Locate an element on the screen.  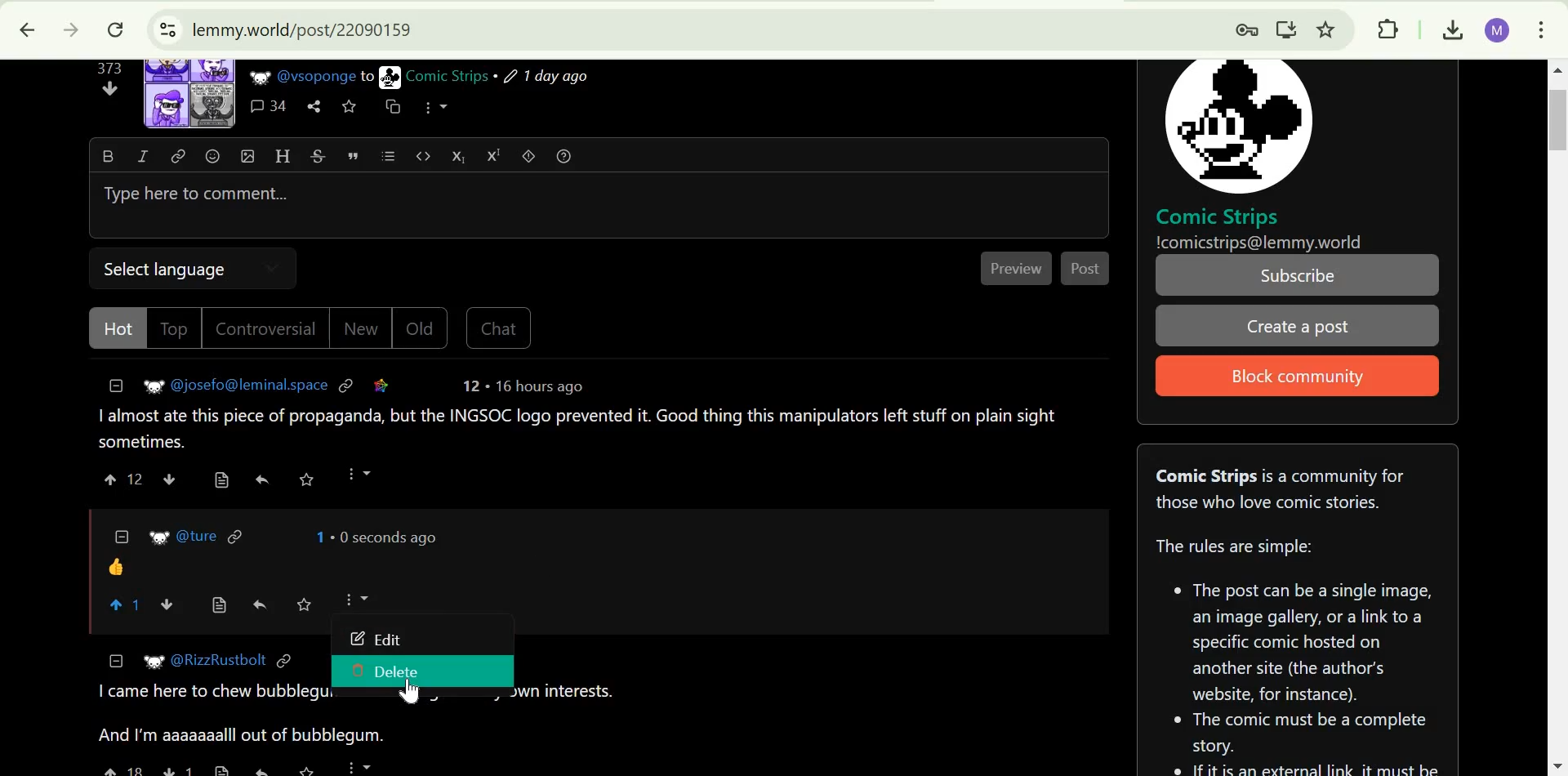
user ID is located at coordinates (251, 384).